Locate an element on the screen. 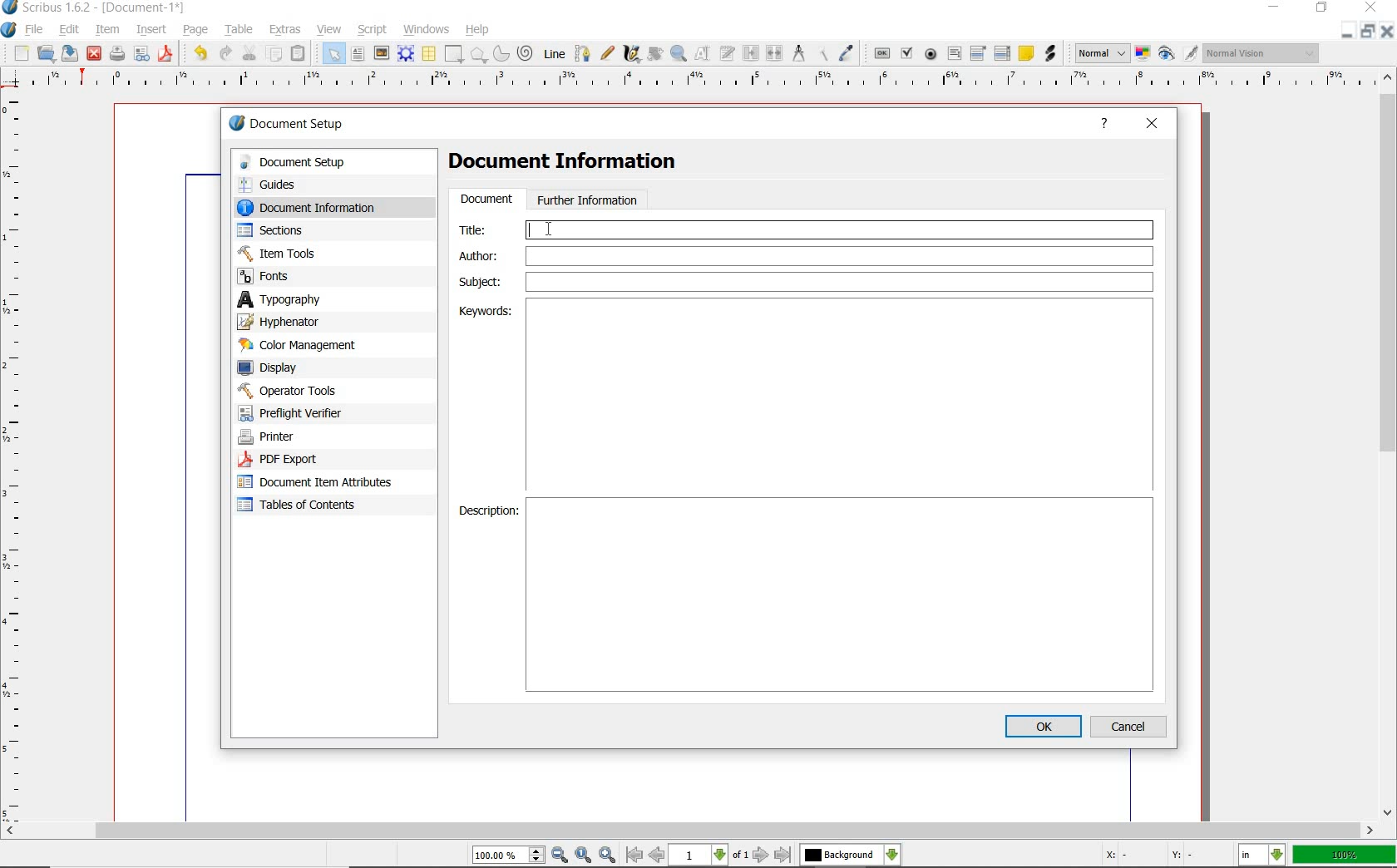 Image resolution: width=1397 pixels, height=868 pixels. tables of contents is located at coordinates (308, 506).